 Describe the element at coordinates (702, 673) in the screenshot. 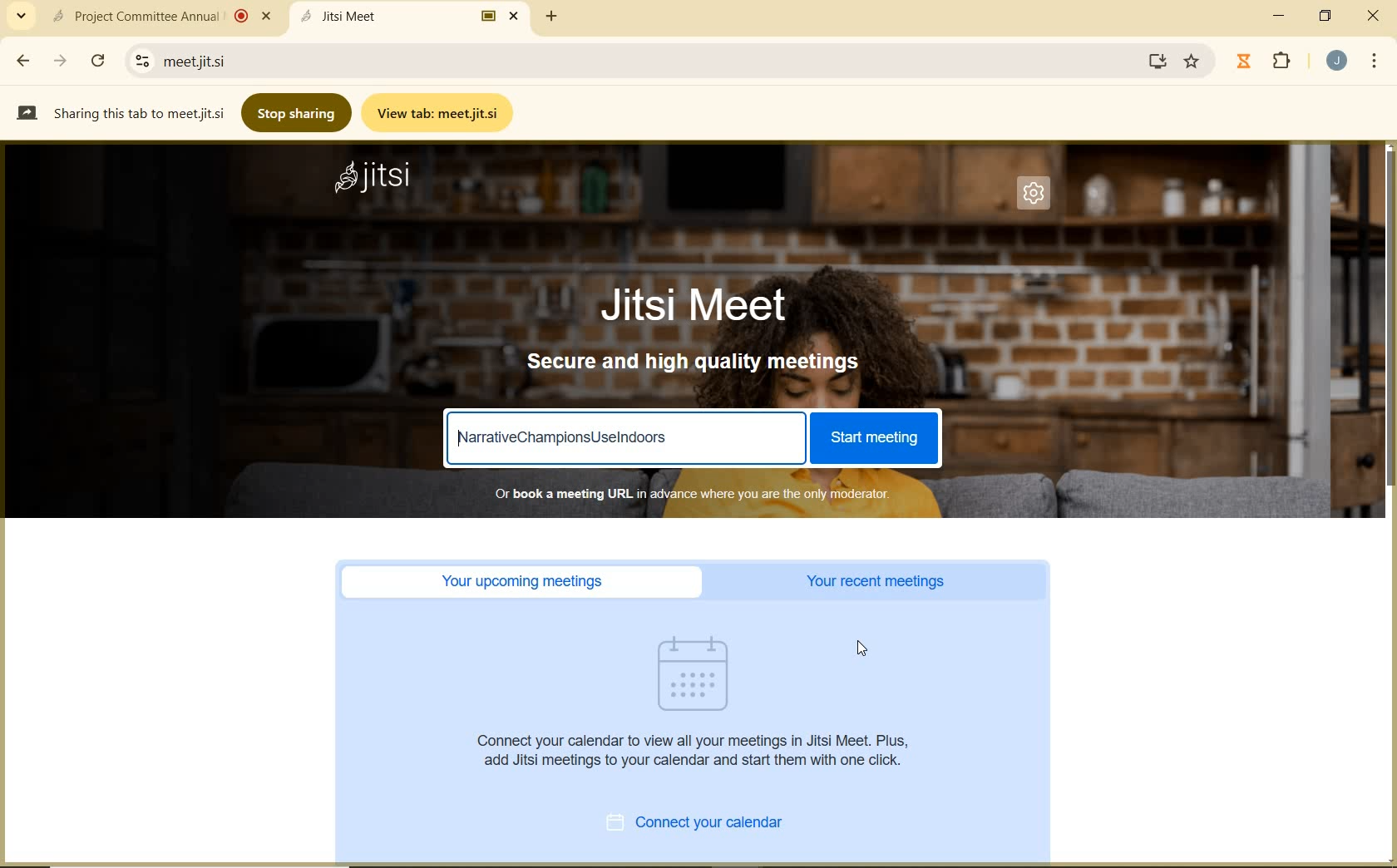

I see `image` at that location.